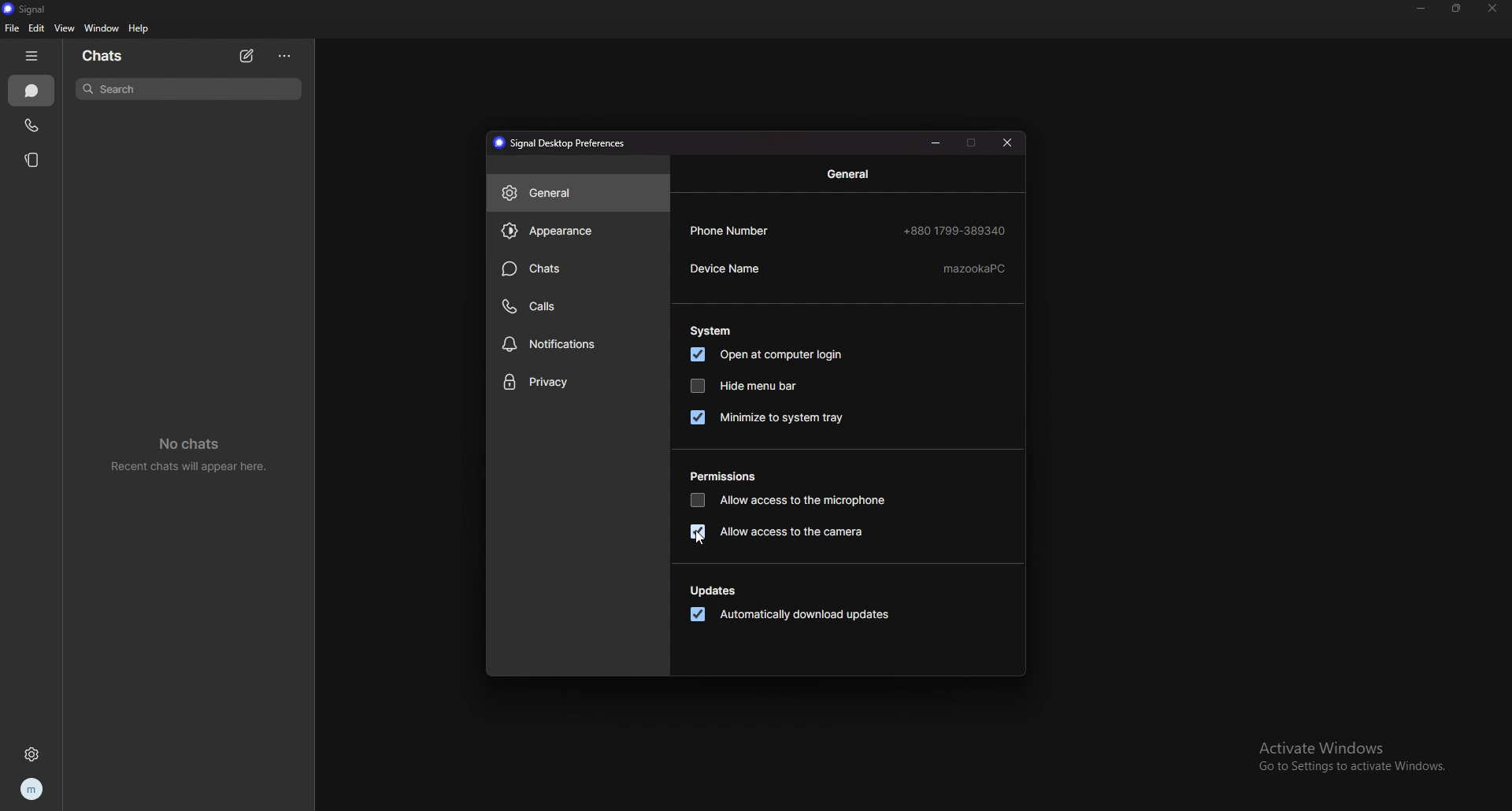  I want to click on cursor, so click(695, 537).